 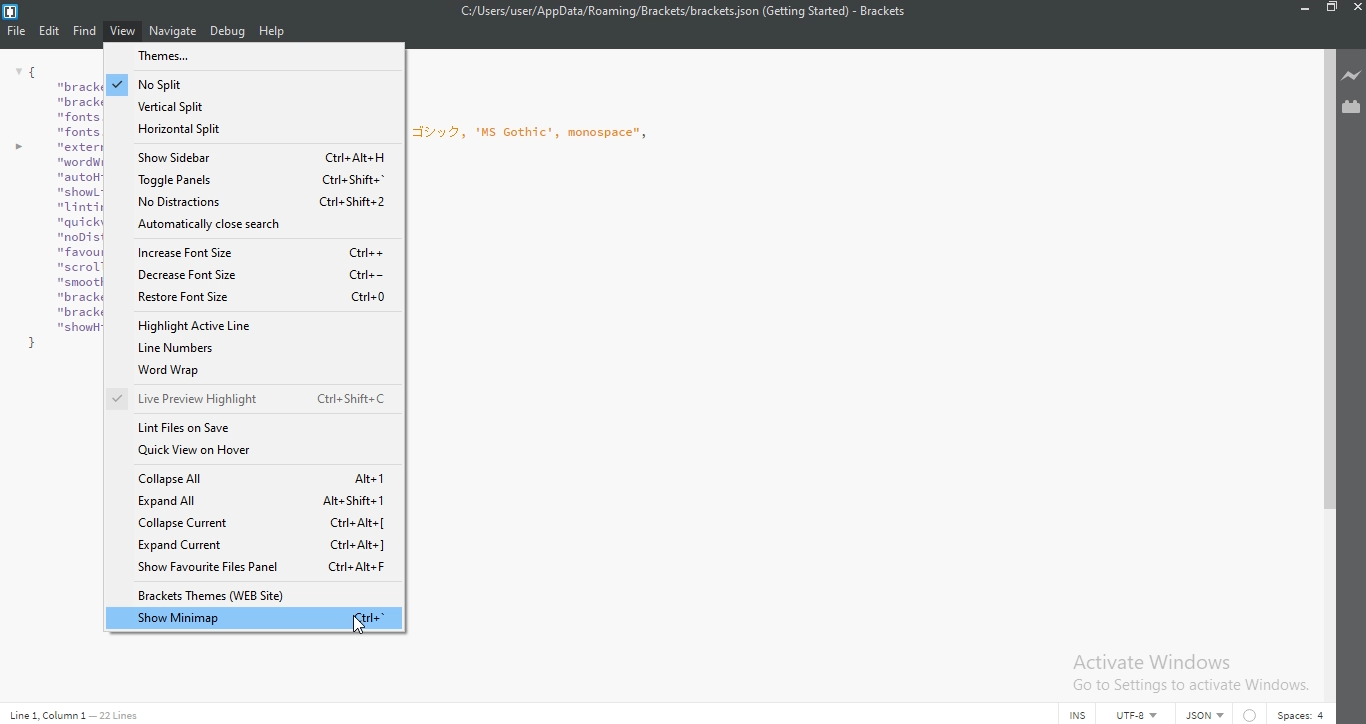 I want to click on Expand all, so click(x=246, y=503).